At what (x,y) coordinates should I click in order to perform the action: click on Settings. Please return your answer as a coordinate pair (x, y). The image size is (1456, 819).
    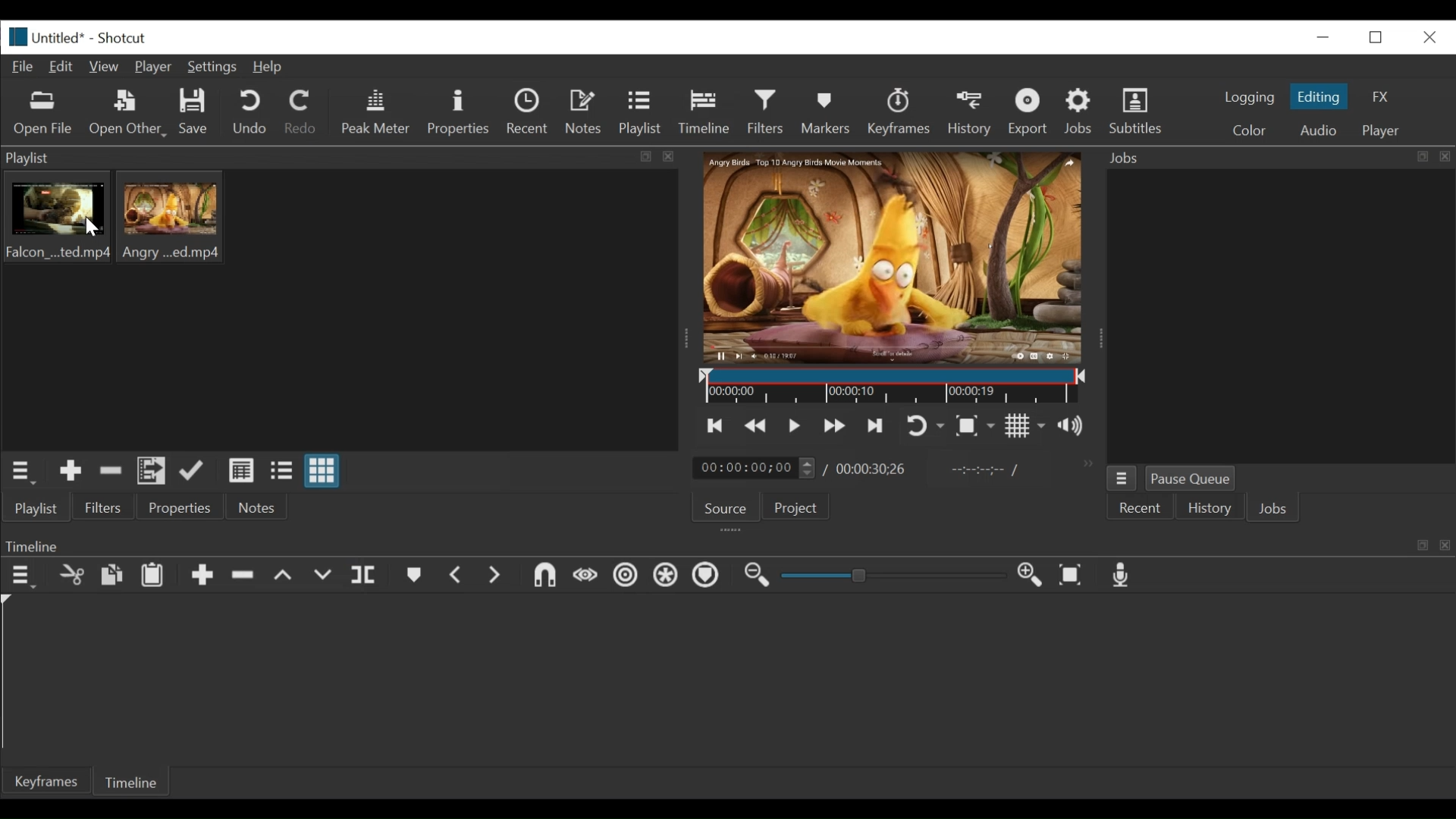
    Looking at the image, I should click on (215, 69).